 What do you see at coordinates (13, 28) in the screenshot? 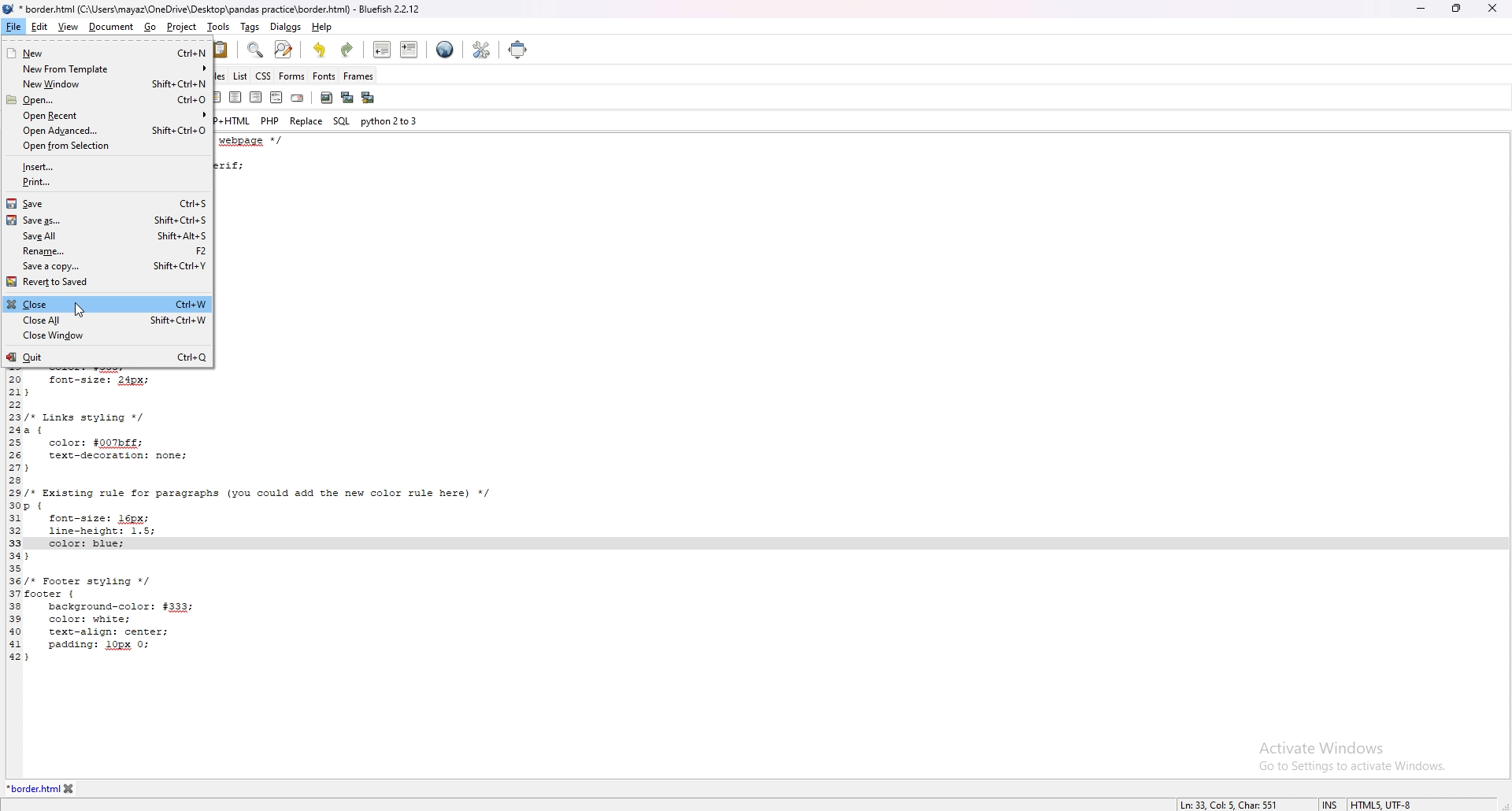
I see `file` at bounding box center [13, 28].